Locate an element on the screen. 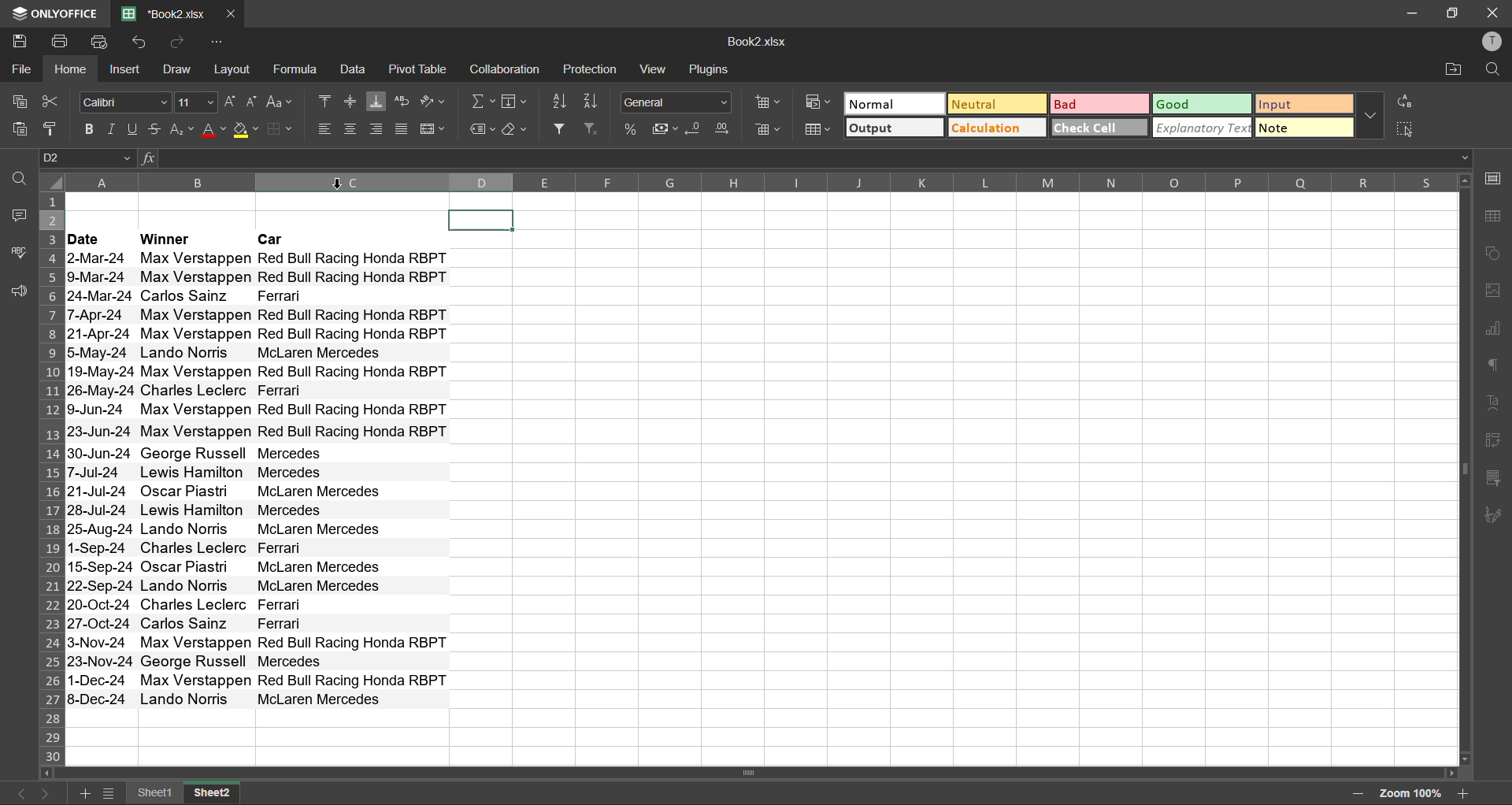 The height and width of the screenshot is (805, 1512). normal is located at coordinates (895, 103).